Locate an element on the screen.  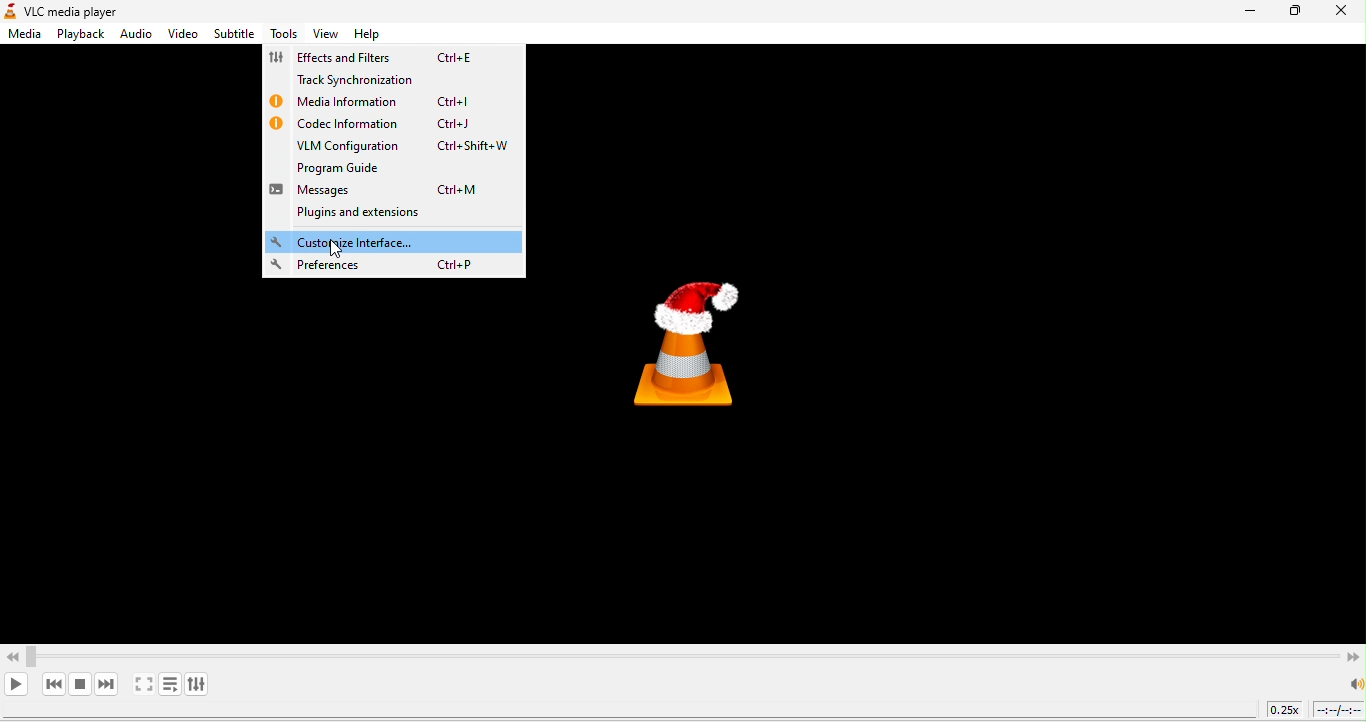
toggle playlist is located at coordinates (171, 684).